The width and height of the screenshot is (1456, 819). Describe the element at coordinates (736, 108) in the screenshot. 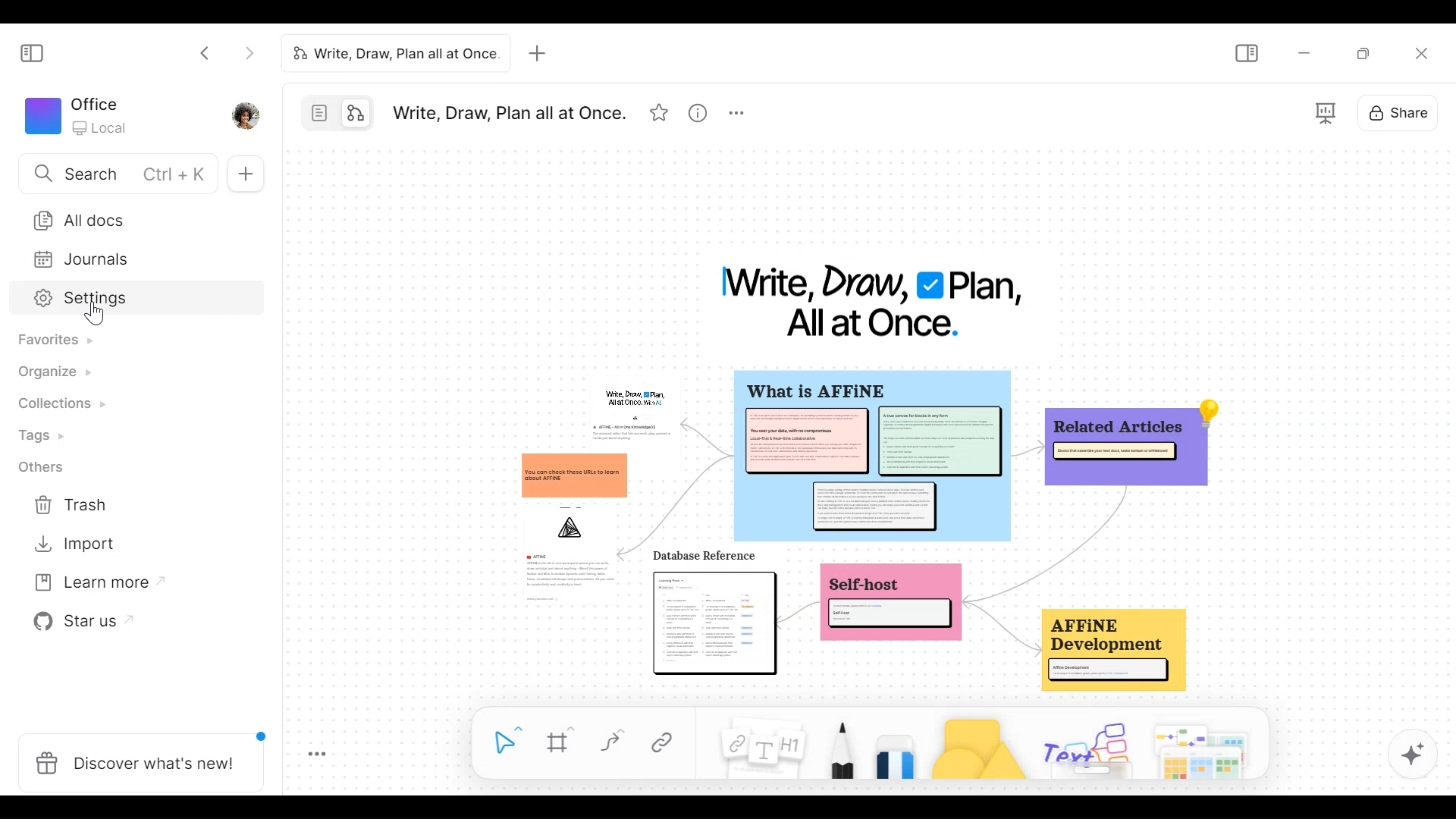

I see `more` at that location.